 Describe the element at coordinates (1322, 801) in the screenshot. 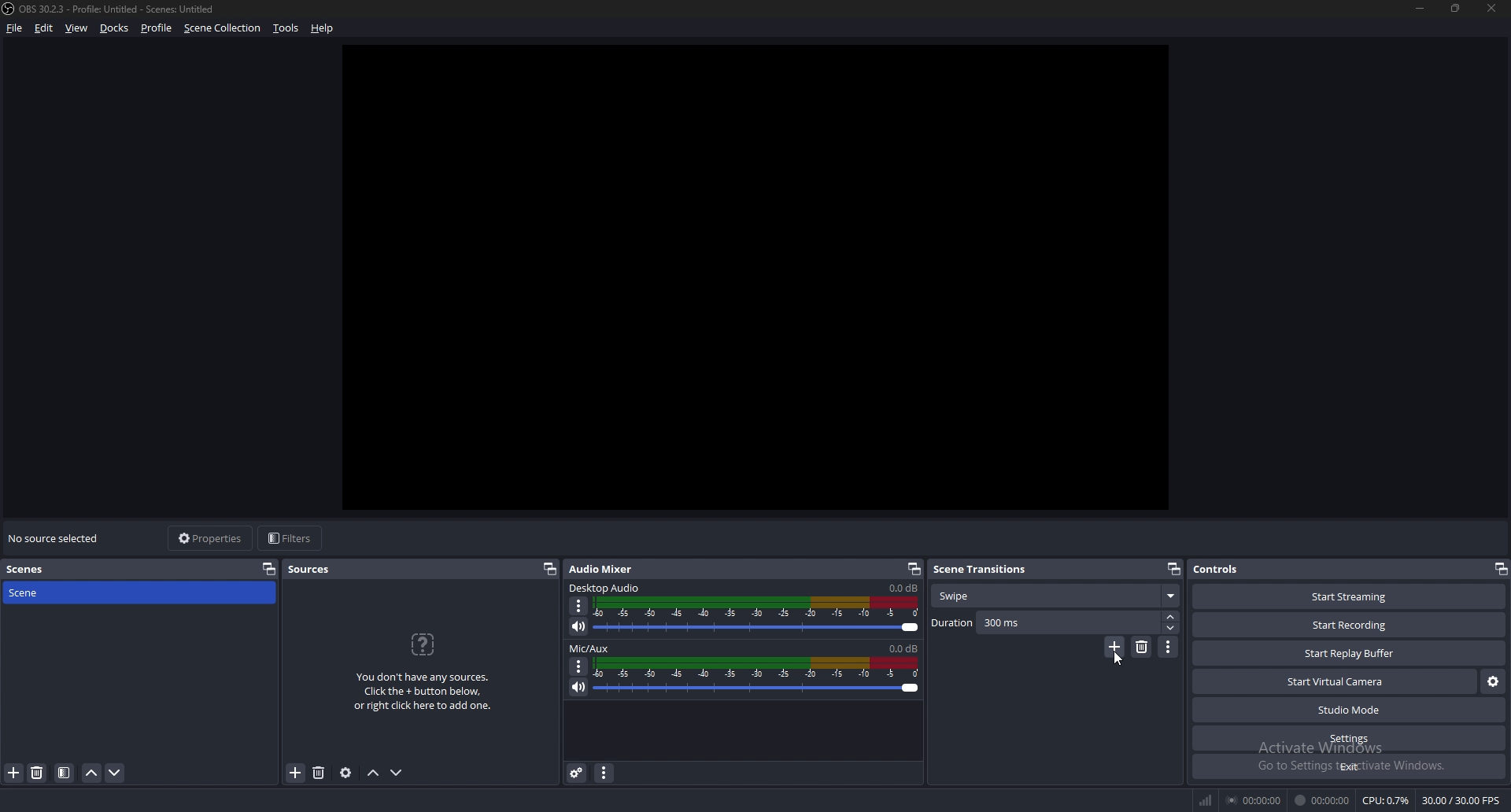

I see `00:00:00` at that location.